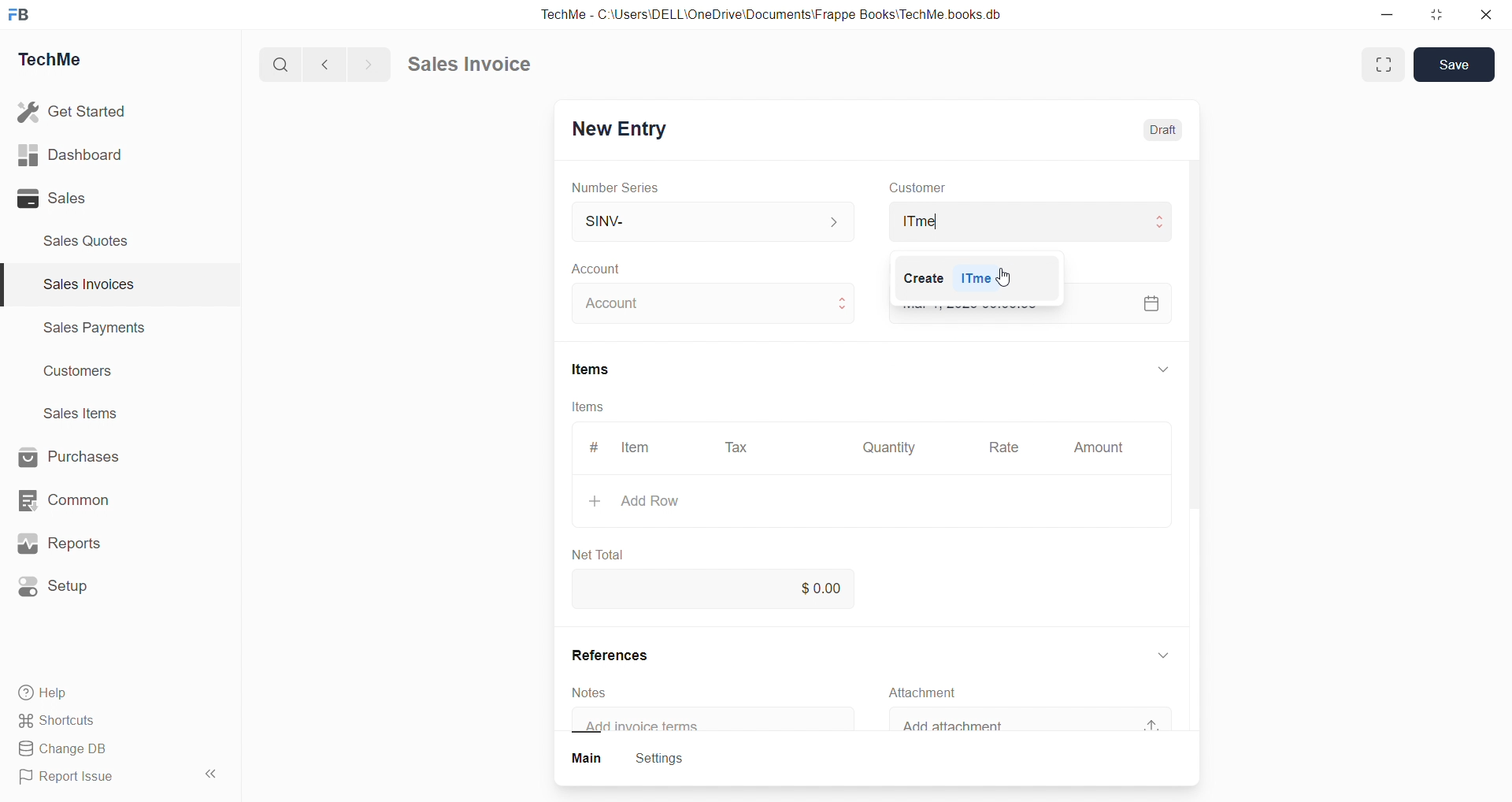 Image resolution: width=1512 pixels, height=802 pixels. I want to click on Add attachment, so click(976, 726).